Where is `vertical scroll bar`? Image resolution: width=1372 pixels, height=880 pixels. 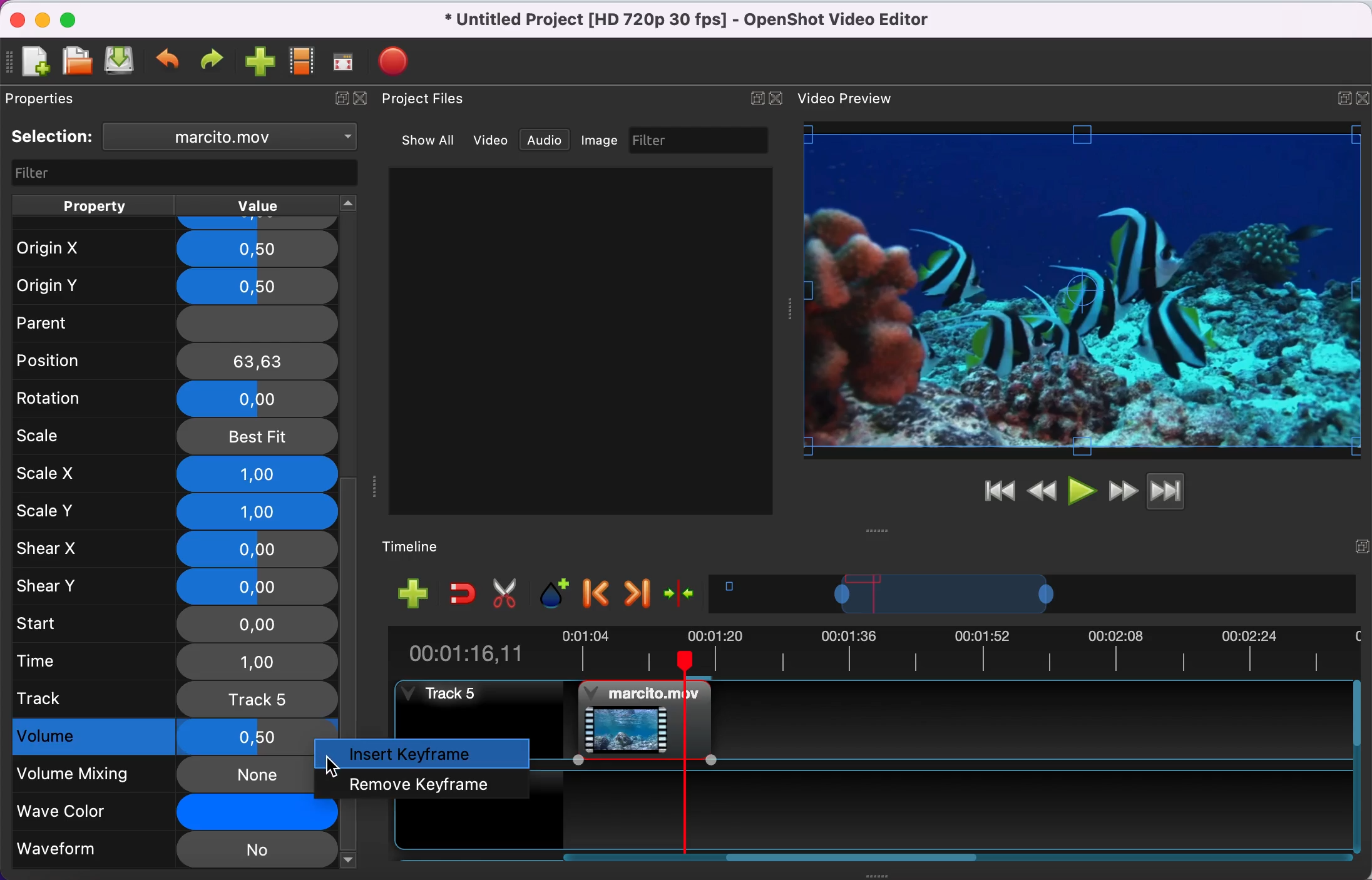
vertical scroll bar is located at coordinates (351, 606).